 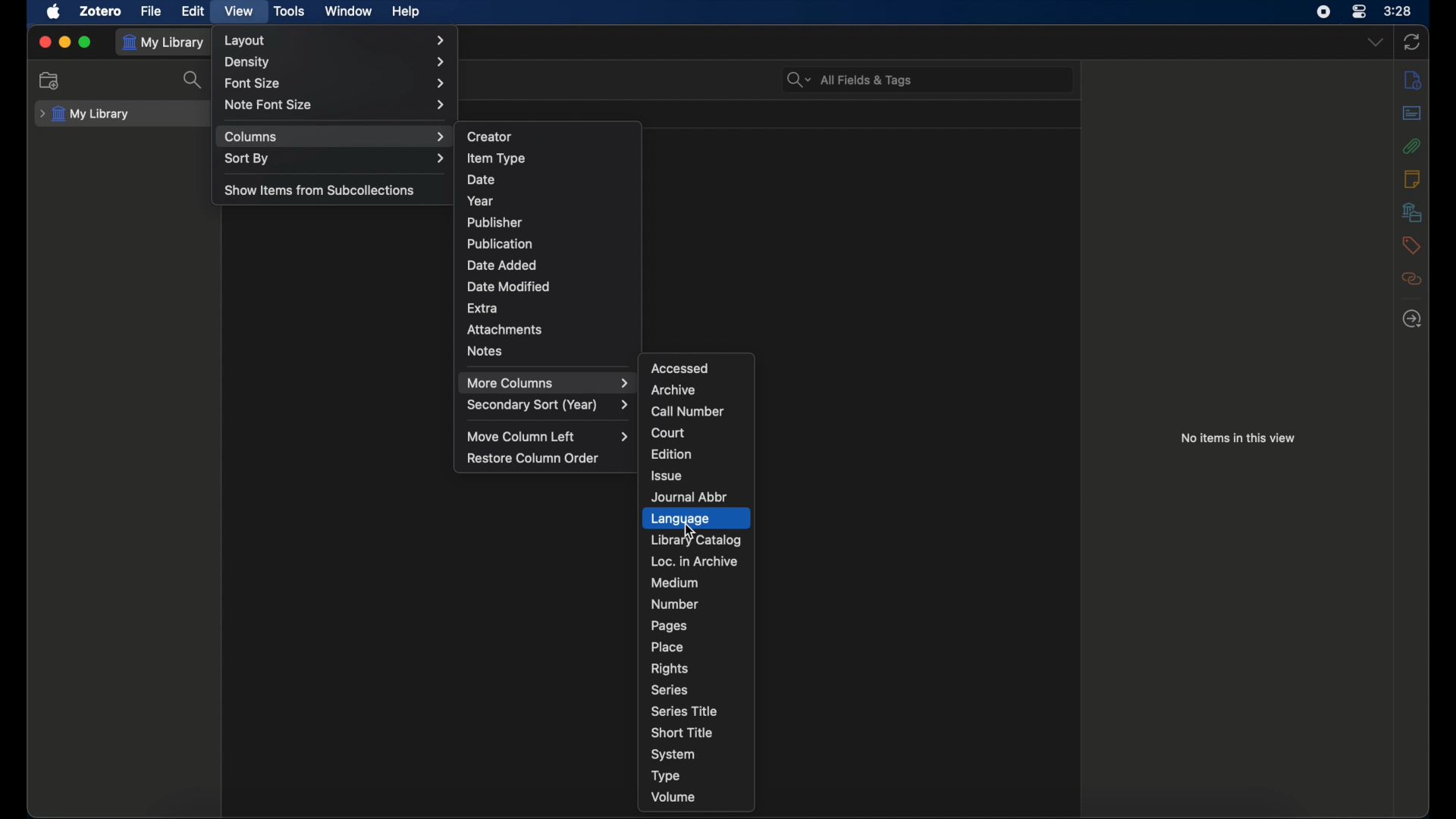 I want to click on publisher, so click(x=495, y=222).